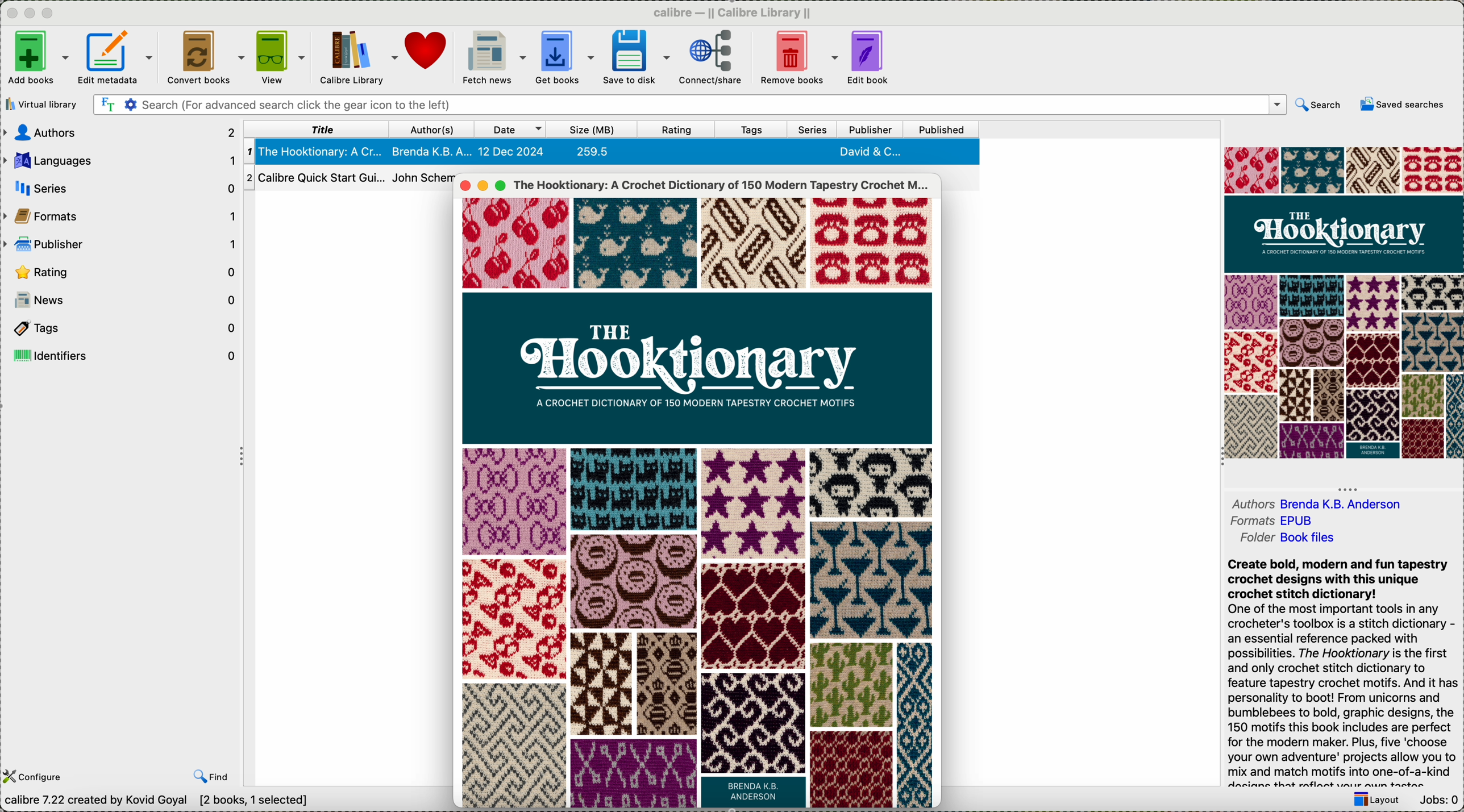  I want to click on Calibre, so click(735, 13).